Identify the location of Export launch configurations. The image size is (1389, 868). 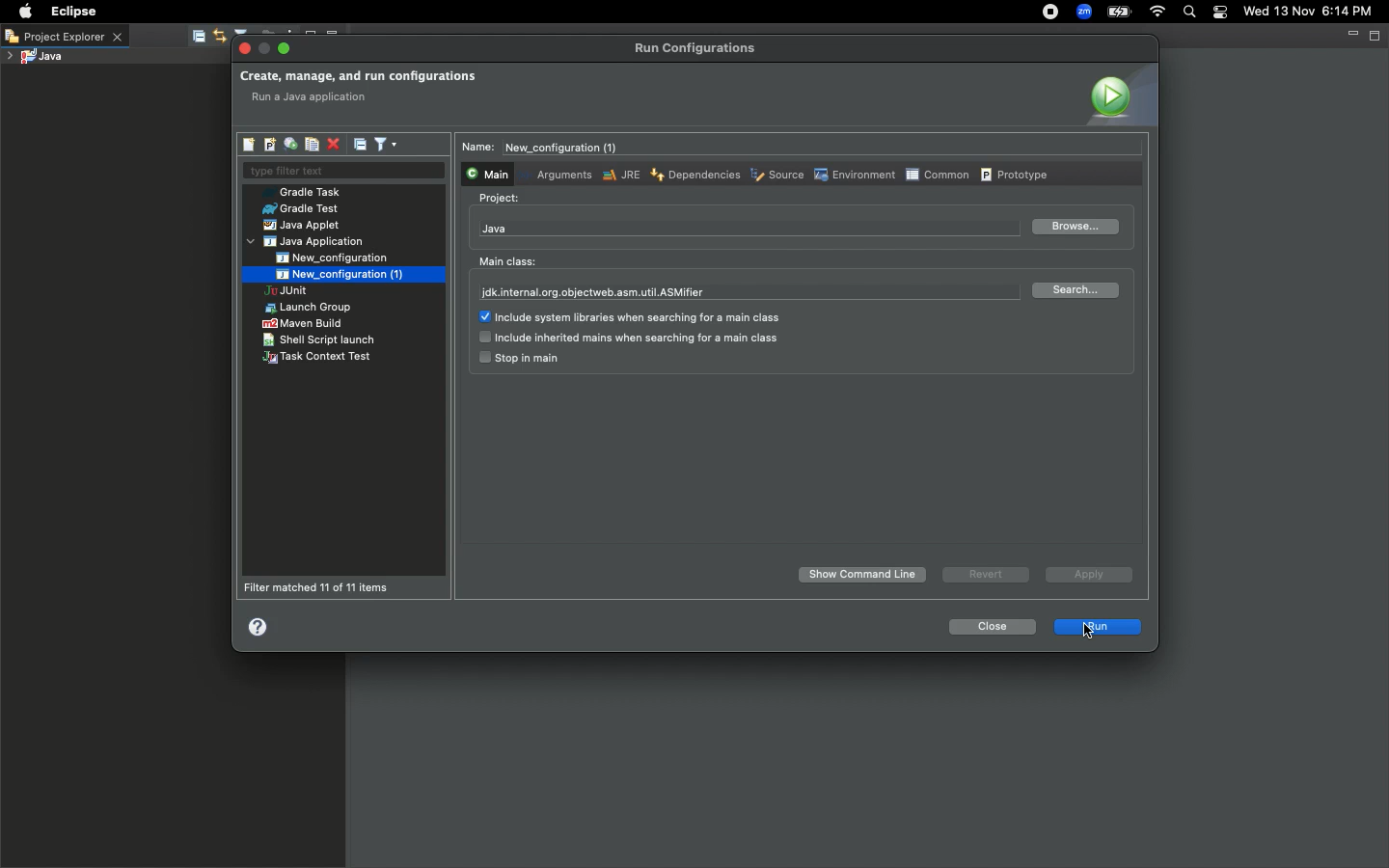
(289, 145).